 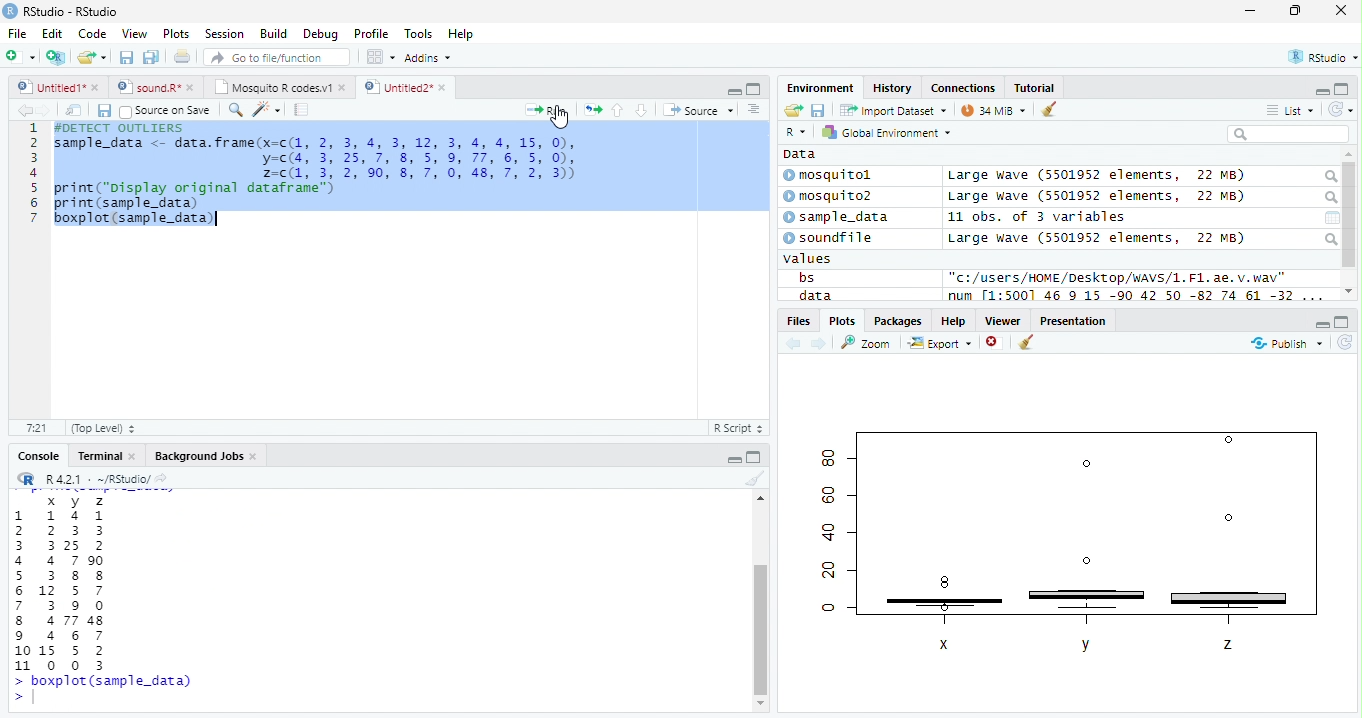 I want to click on Session, so click(x=224, y=33).